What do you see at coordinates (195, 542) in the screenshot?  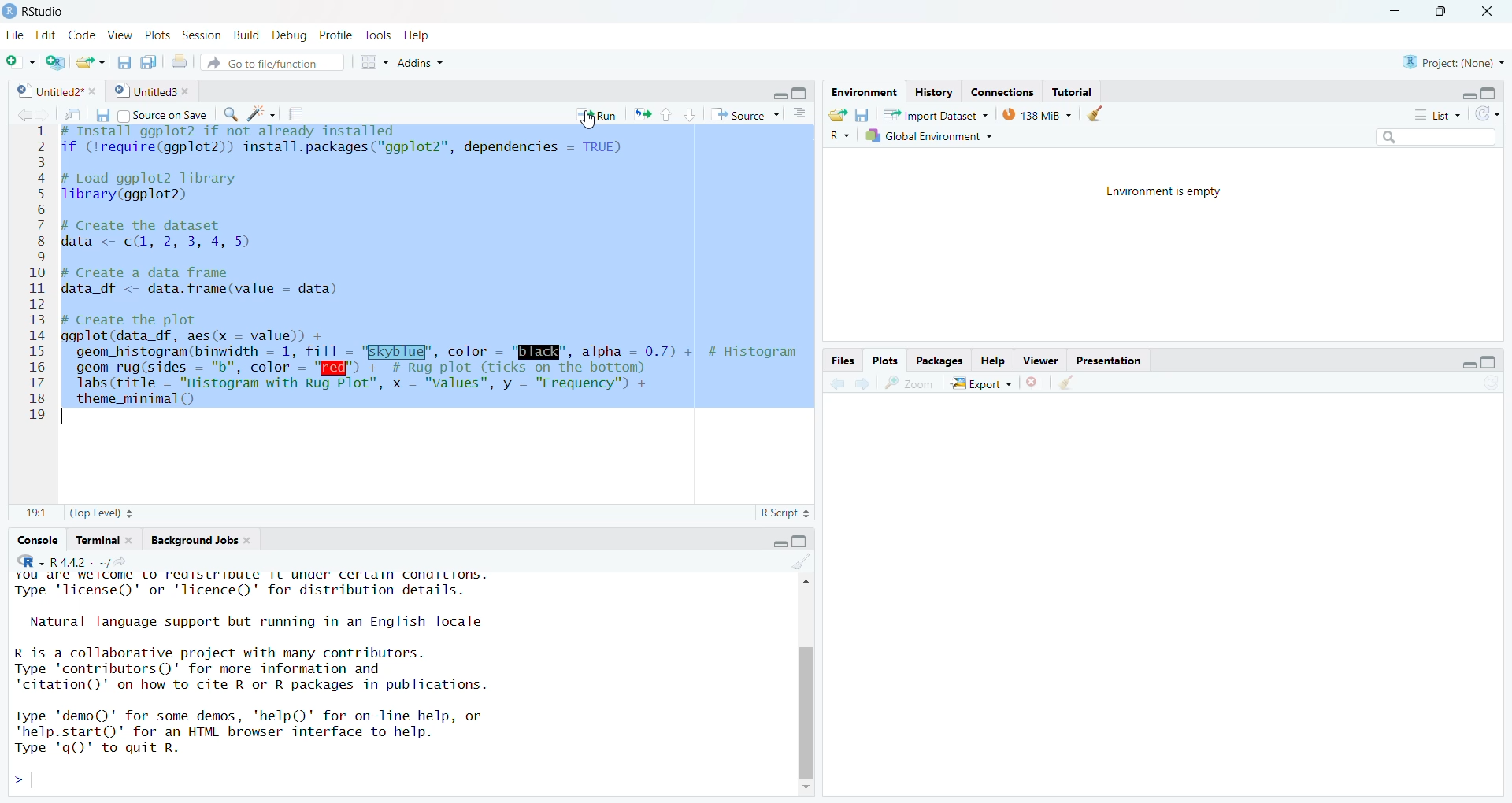 I see `ackground Jobs` at bounding box center [195, 542].